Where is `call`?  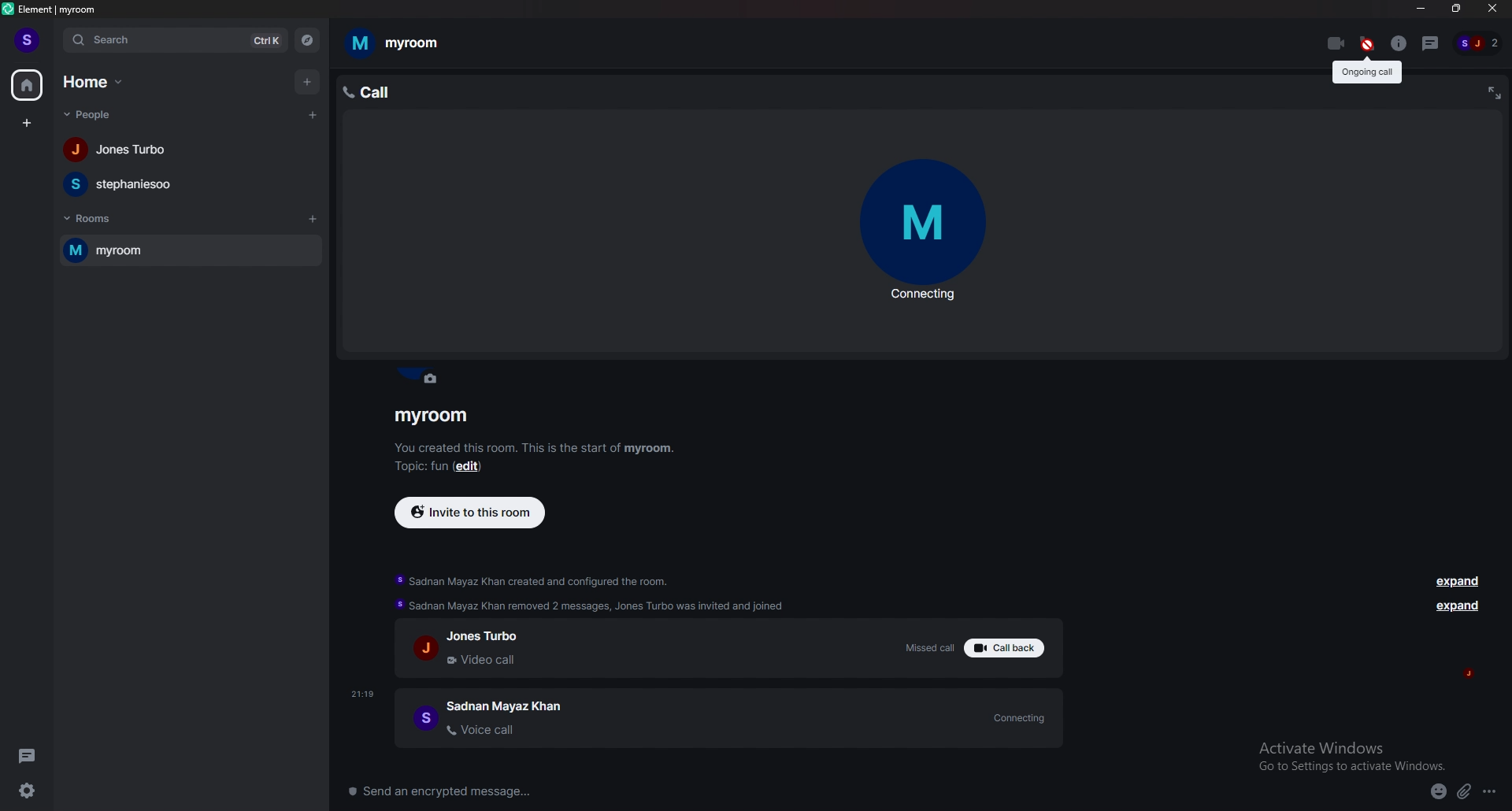
call is located at coordinates (372, 91).